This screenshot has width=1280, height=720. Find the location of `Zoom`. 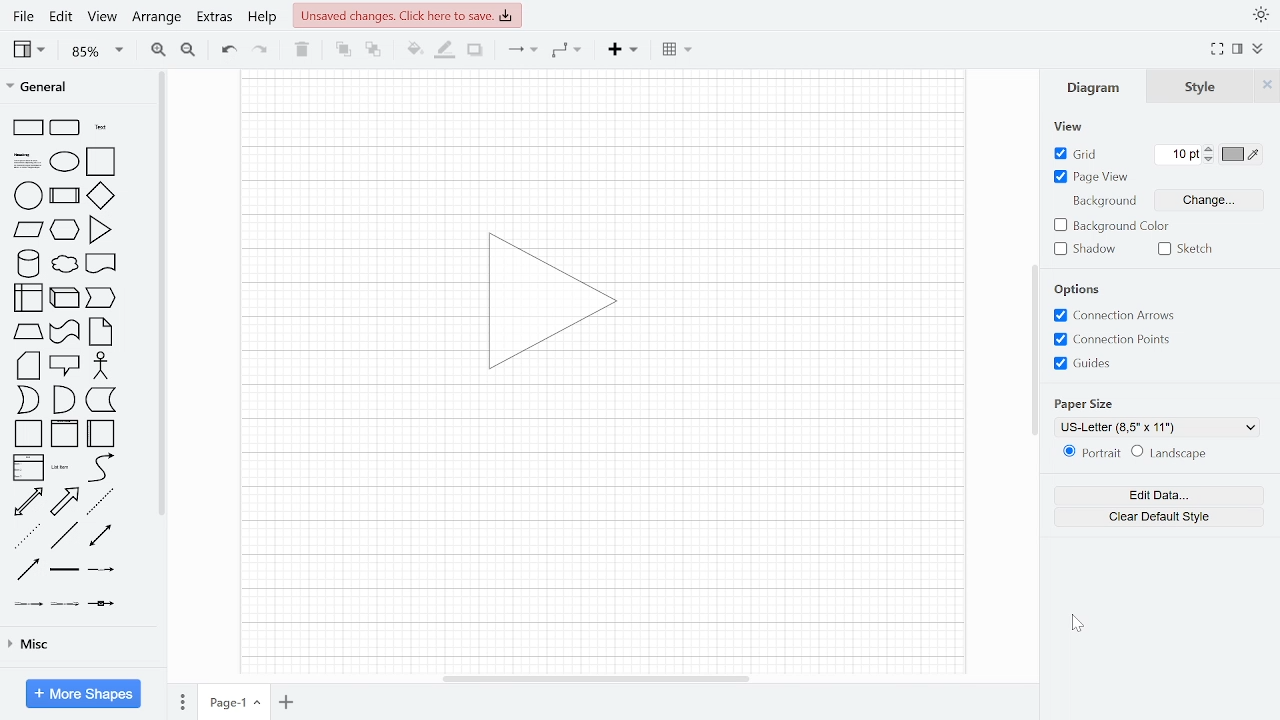

Zoom is located at coordinates (96, 50).